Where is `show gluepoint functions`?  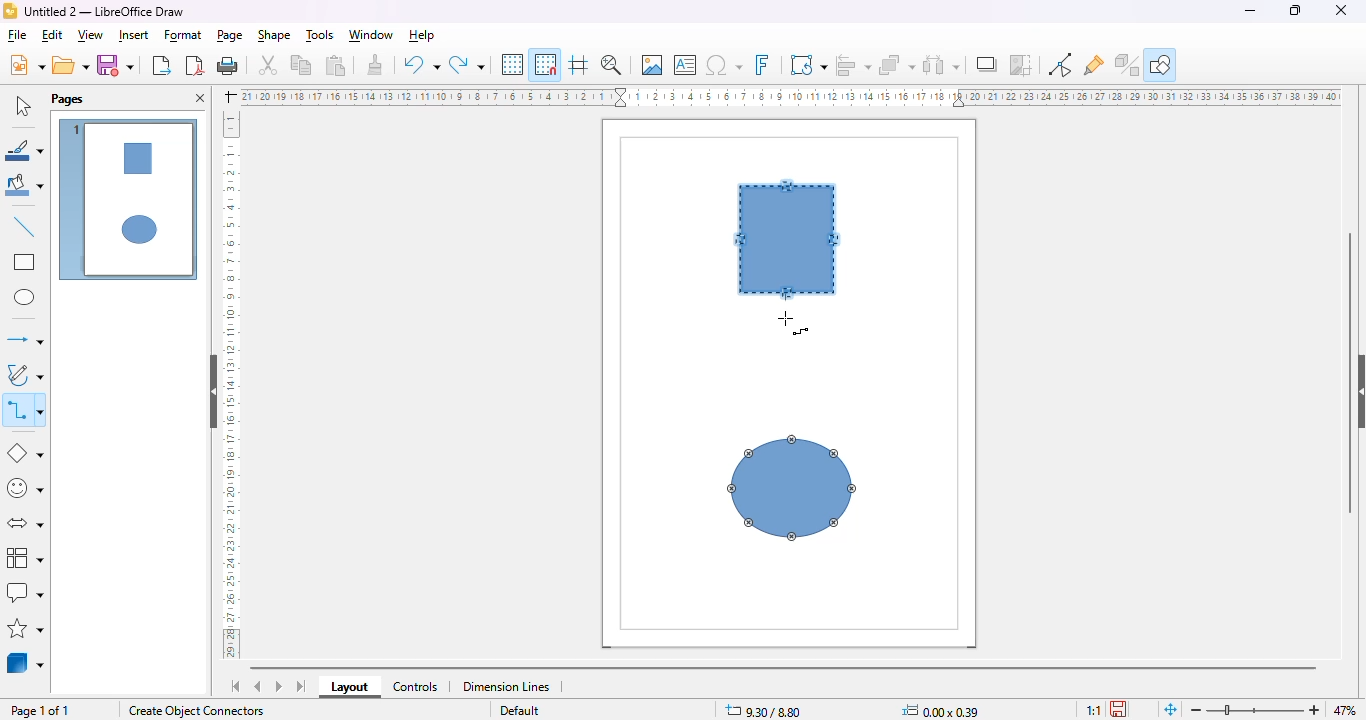
show gluepoint functions is located at coordinates (1059, 65).